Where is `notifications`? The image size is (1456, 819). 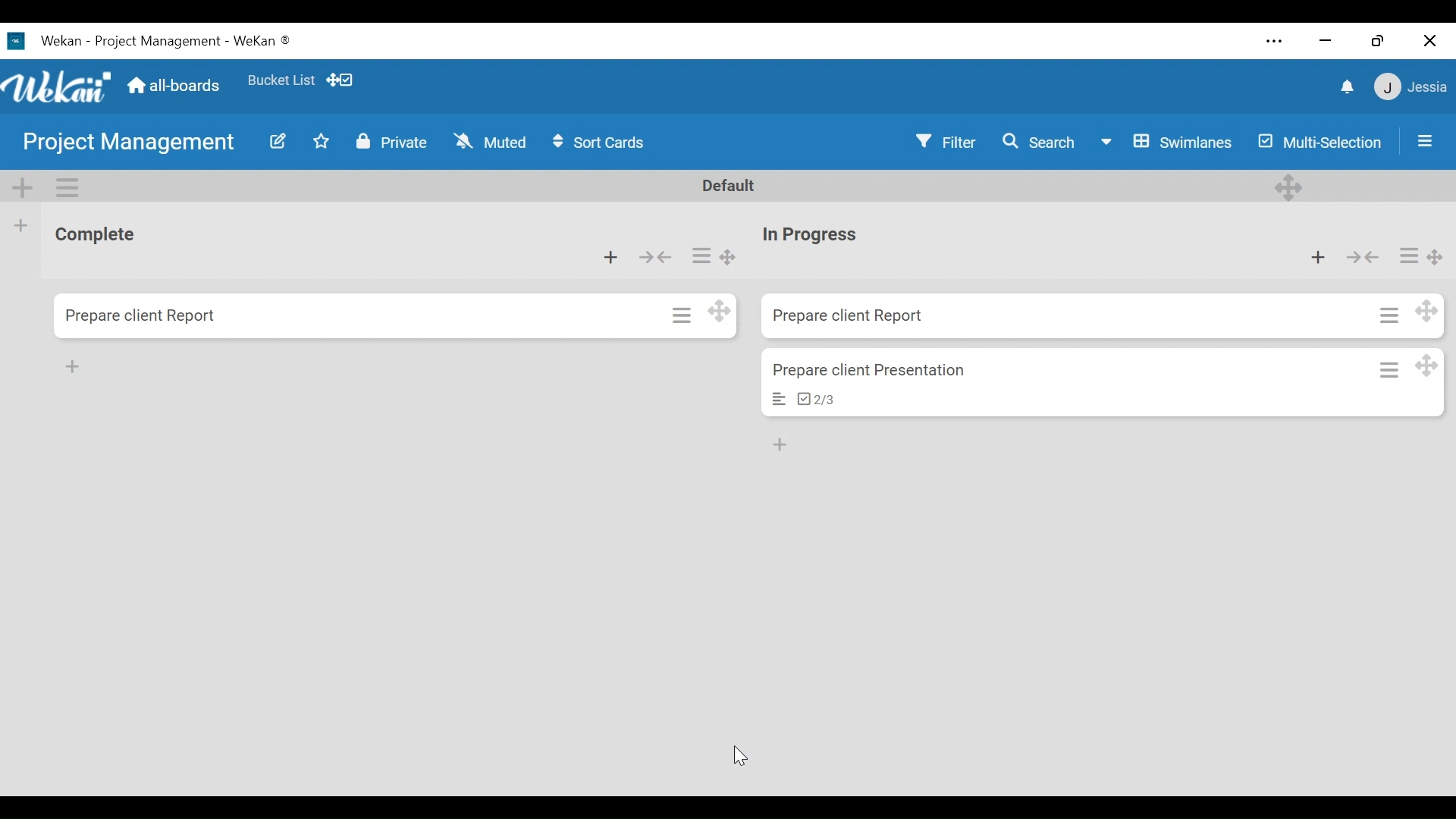 notifications is located at coordinates (1335, 86).